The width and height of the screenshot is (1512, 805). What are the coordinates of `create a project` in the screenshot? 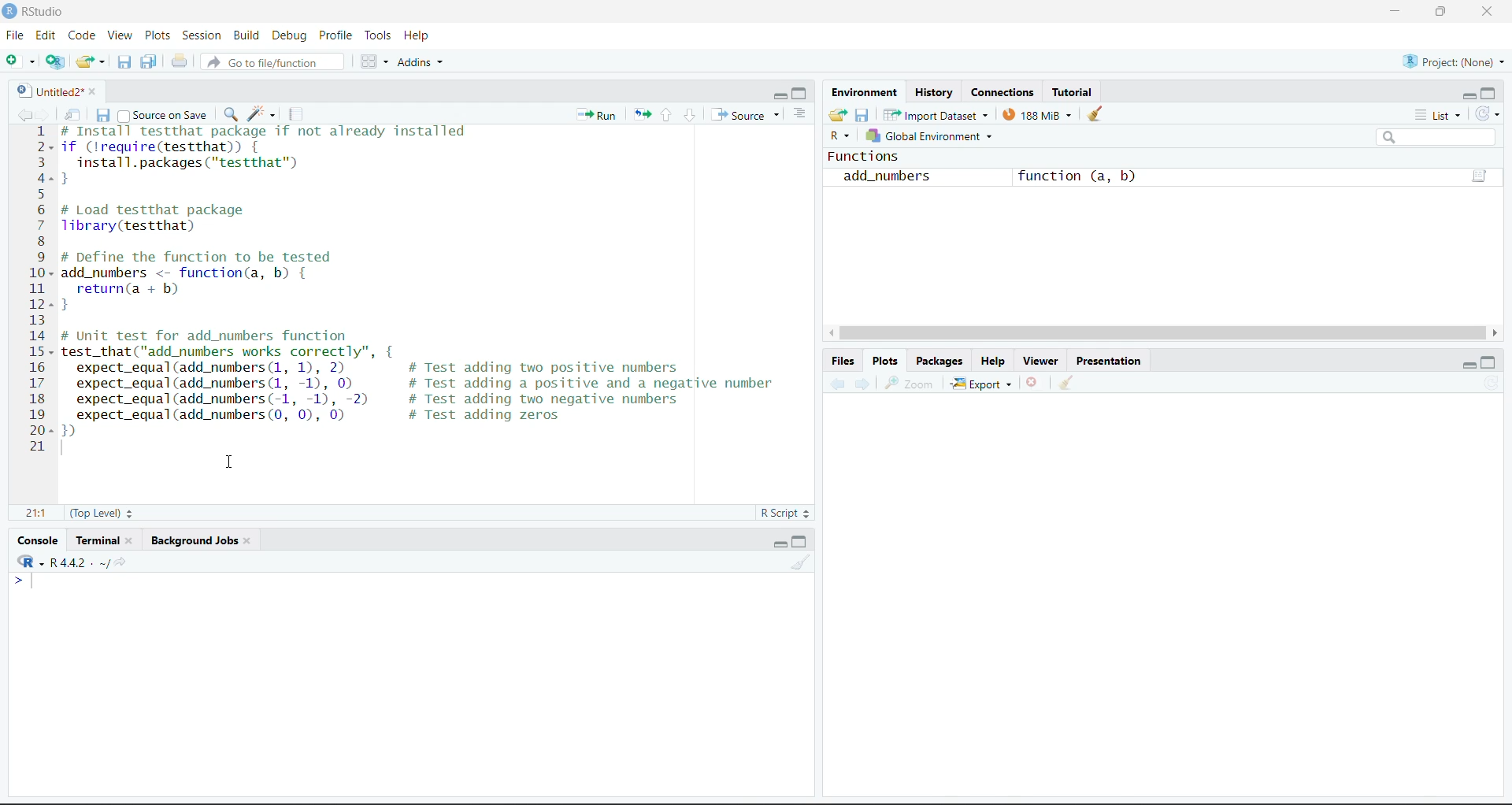 It's located at (55, 61).